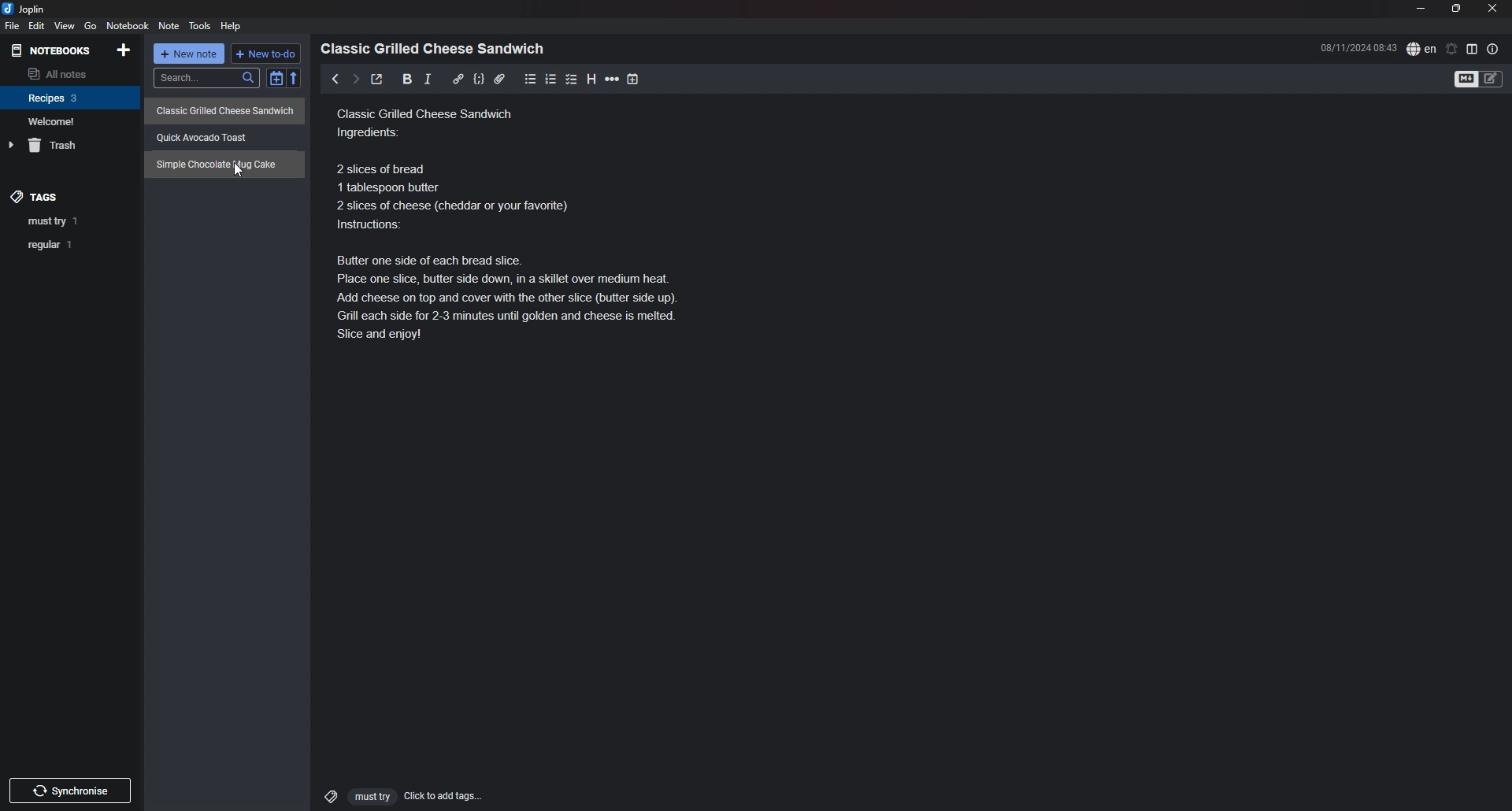 Image resolution: width=1512 pixels, height=811 pixels. I want to click on checkbox, so click(572, 79).